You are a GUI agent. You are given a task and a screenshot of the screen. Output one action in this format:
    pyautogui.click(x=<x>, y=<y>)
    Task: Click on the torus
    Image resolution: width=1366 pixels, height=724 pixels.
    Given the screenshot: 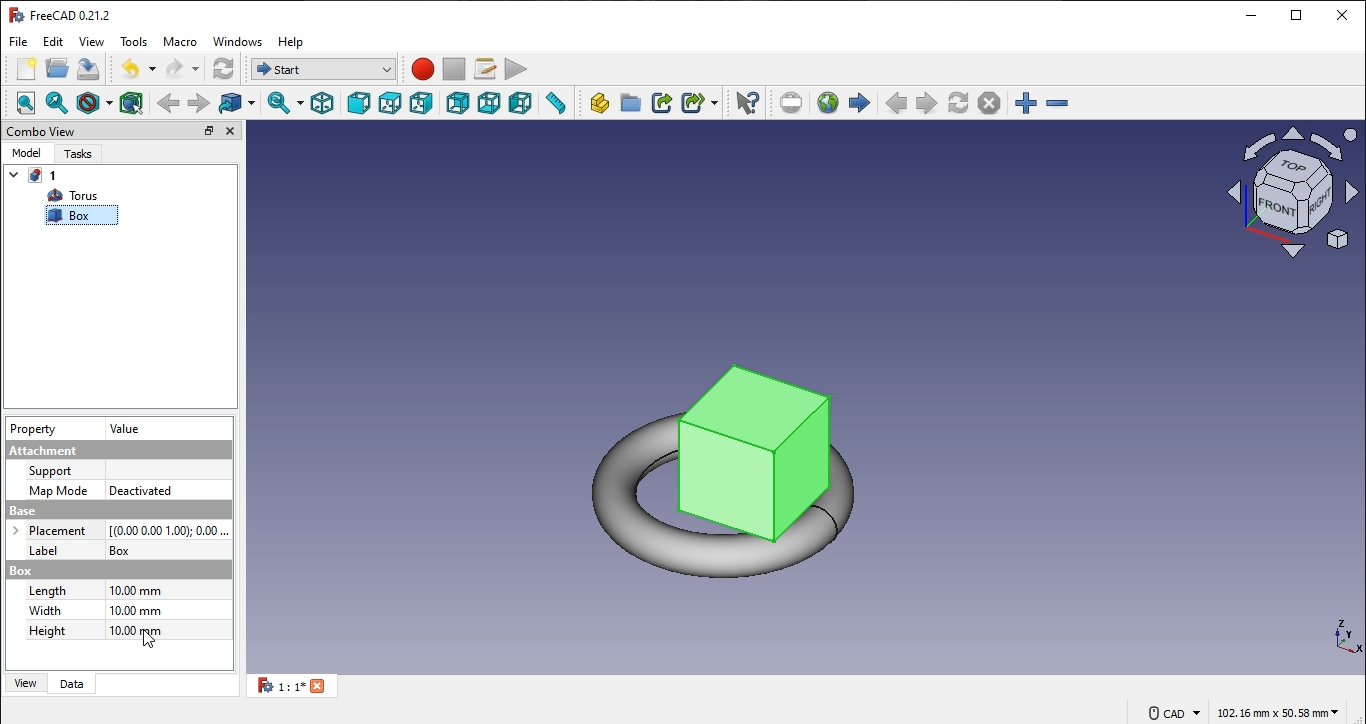 What is the action you would take?
    pyautogui.click(x=75, y=196)
    